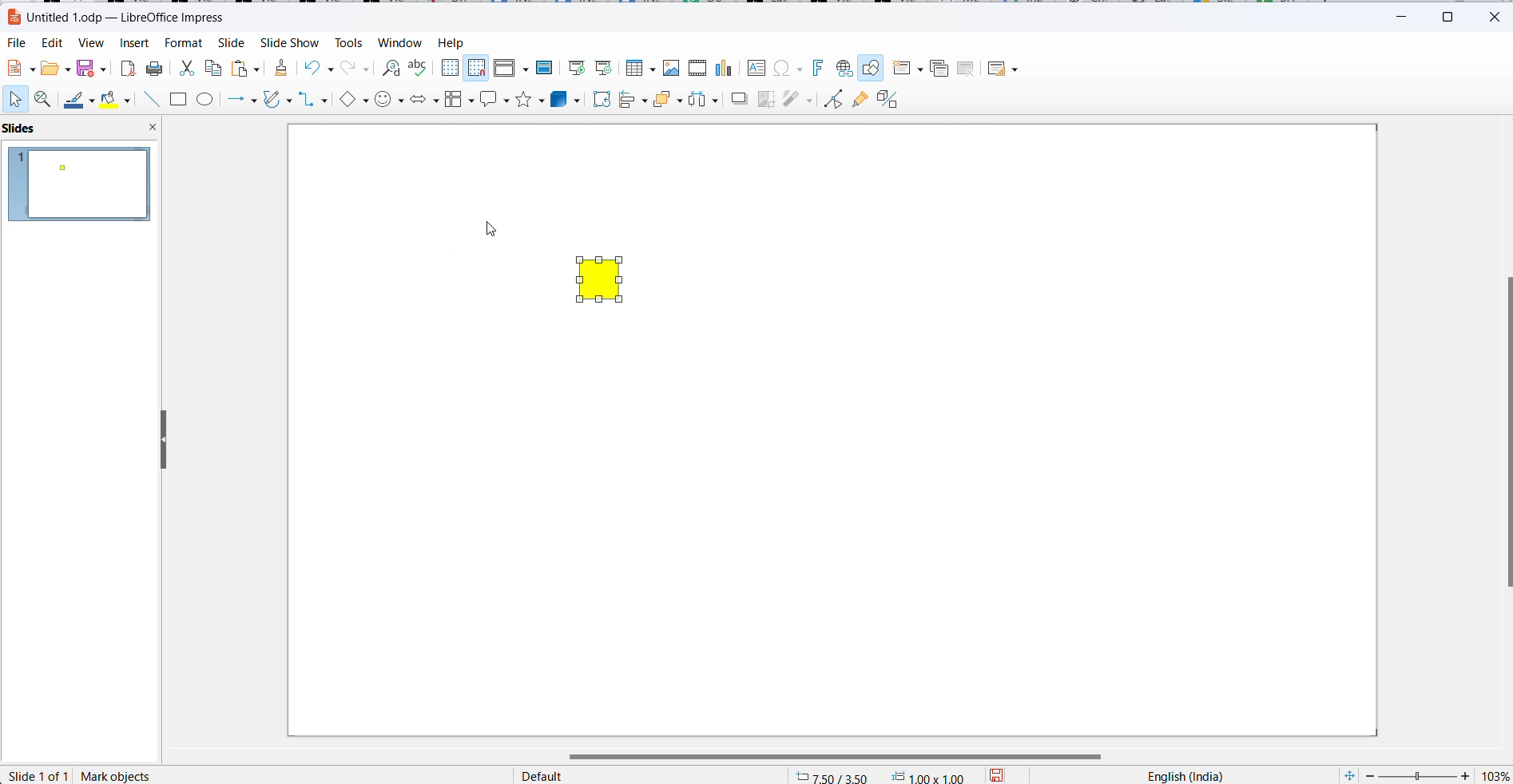 Image resolution: width=1513 pixels, height=784 pixels. I want to click on 3d objects , so click(566, 100).